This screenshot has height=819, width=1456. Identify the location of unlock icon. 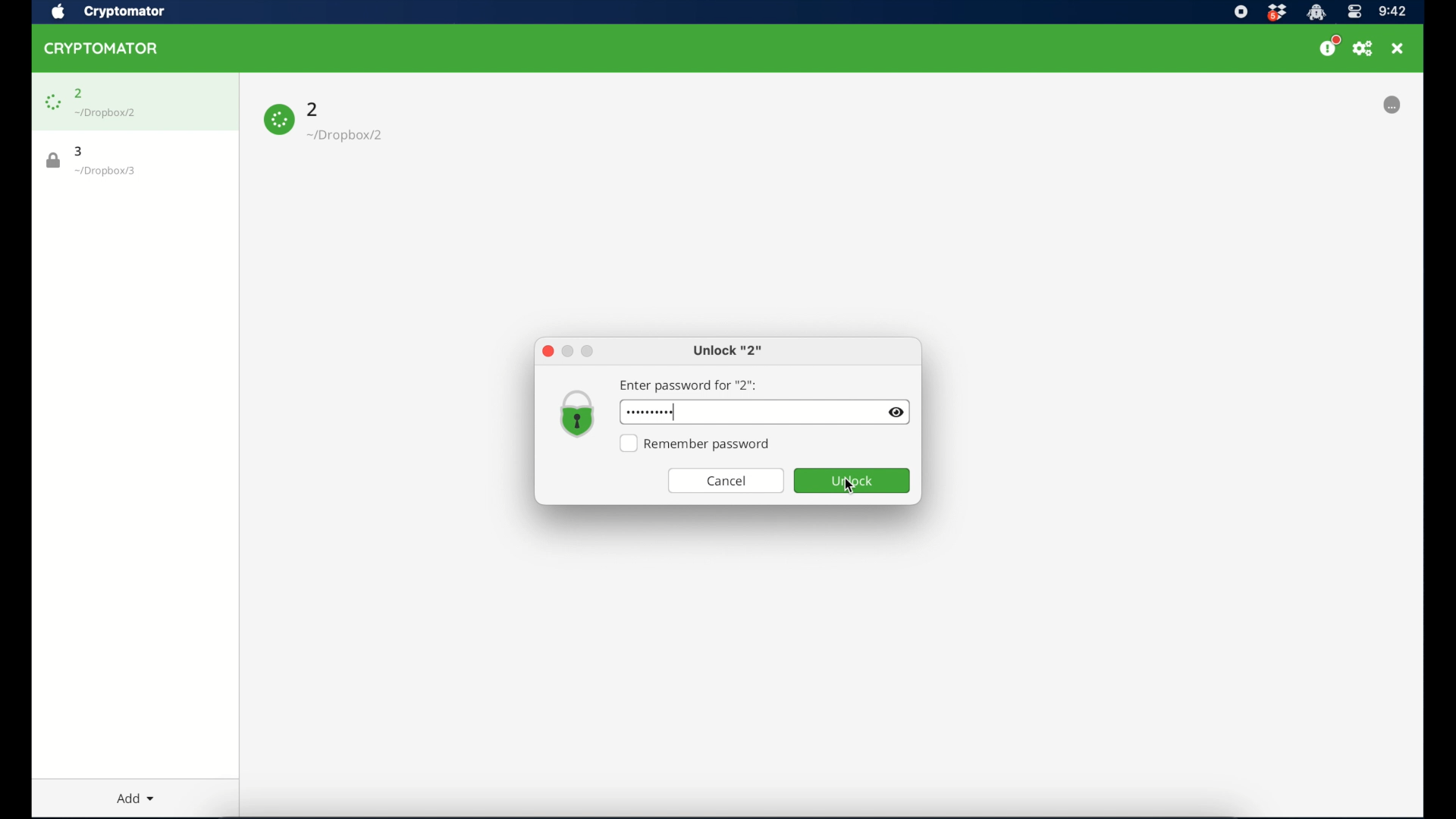
(578, 415).